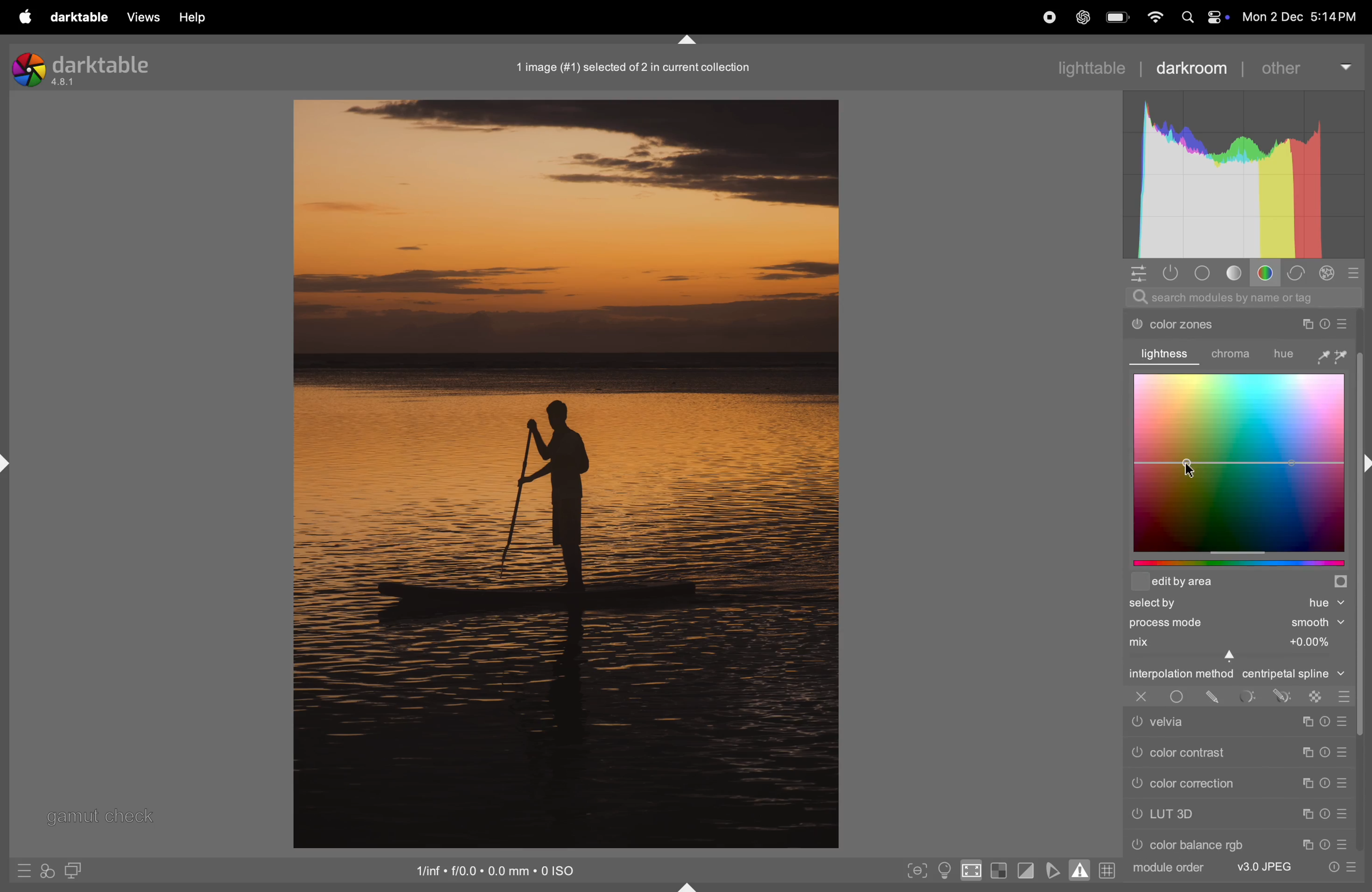 The width and height of the screenshot is (1372, 892). What do you see at coordinates (1235, 354) in the screenshot?
I see `chroma` at bounding box center [1235, 354].